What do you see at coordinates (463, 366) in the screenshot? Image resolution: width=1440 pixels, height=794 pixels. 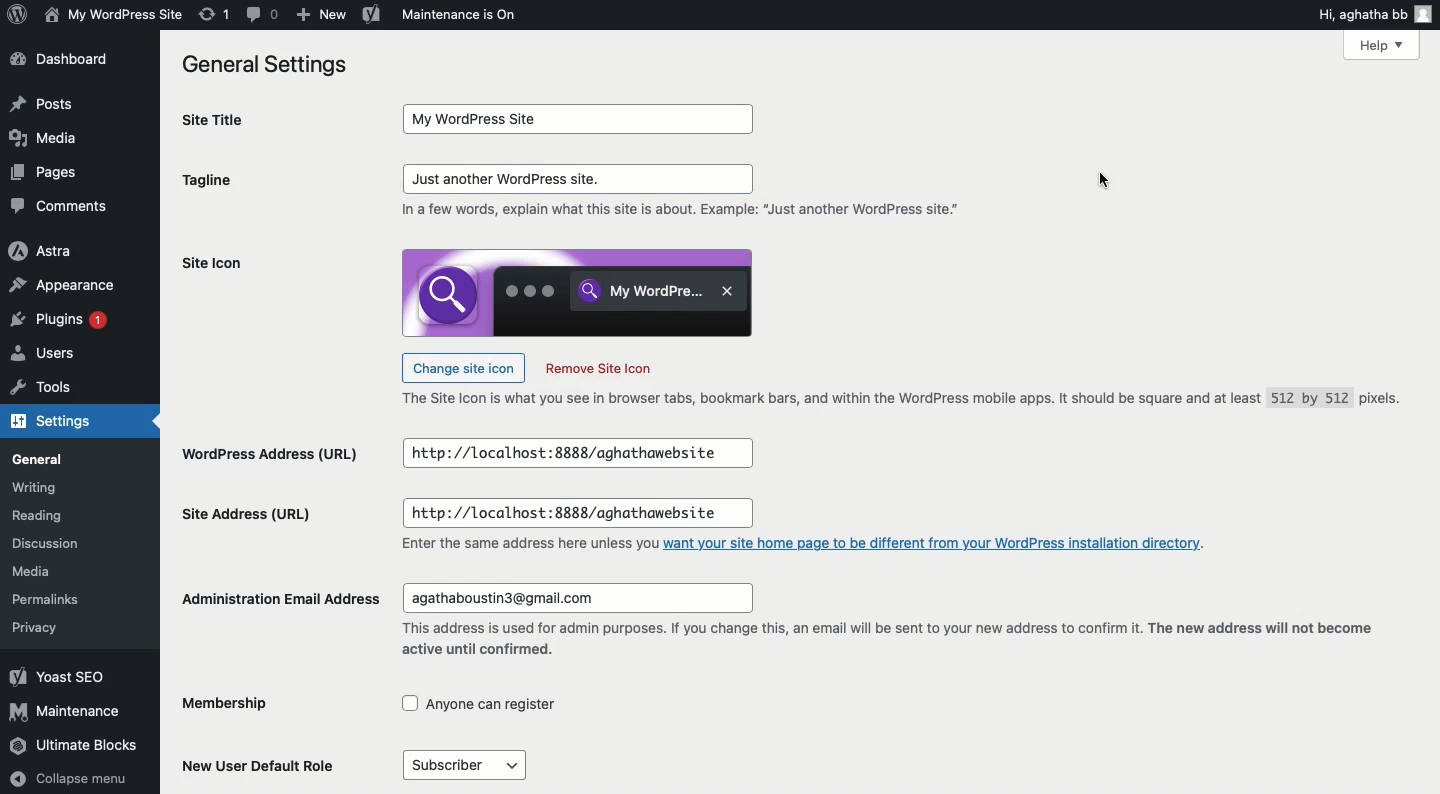 I see `Change` at bounding box center [463, 366].